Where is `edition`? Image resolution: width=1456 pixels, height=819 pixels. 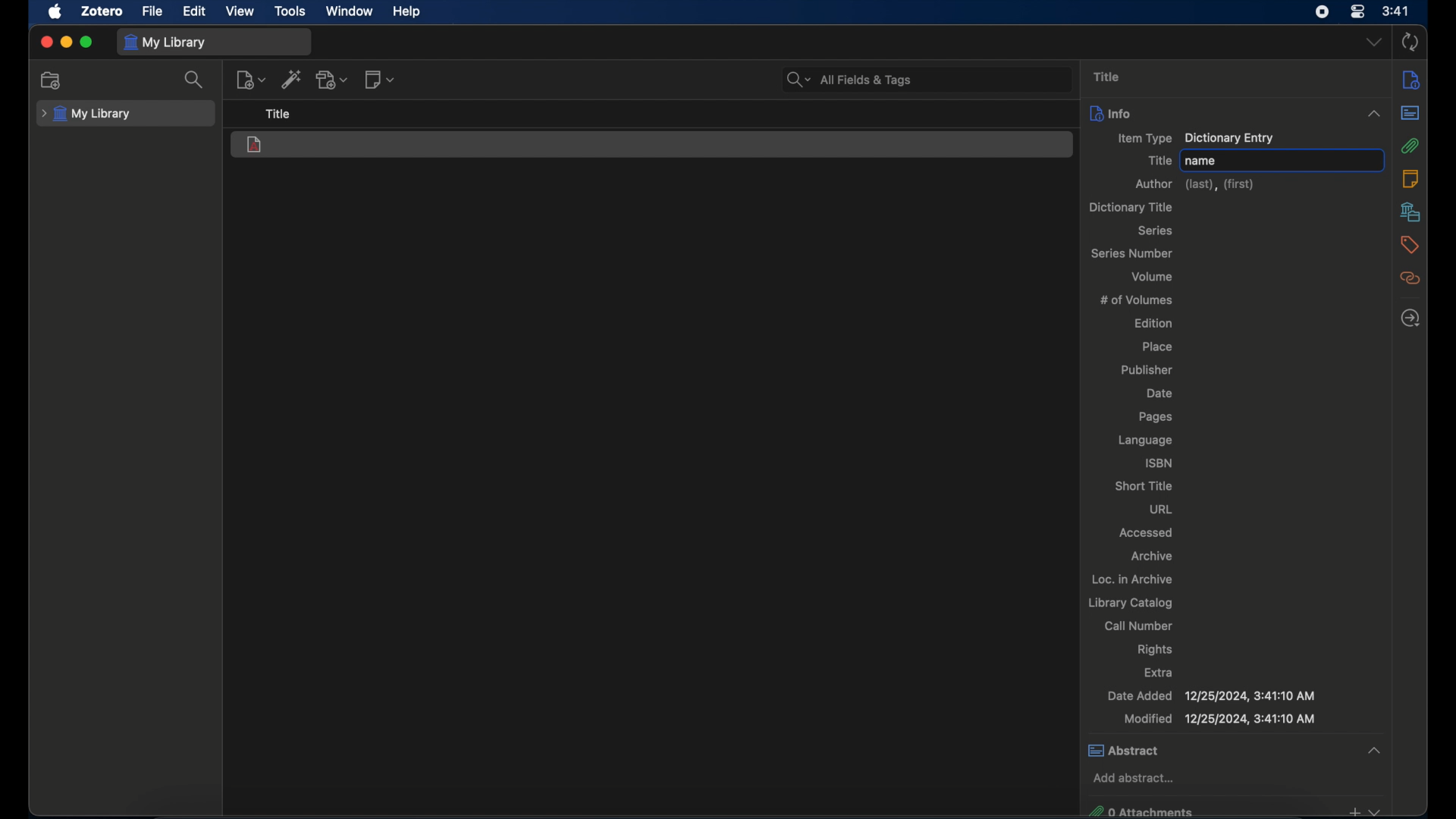 edition is located at coordinates (1154, 322).